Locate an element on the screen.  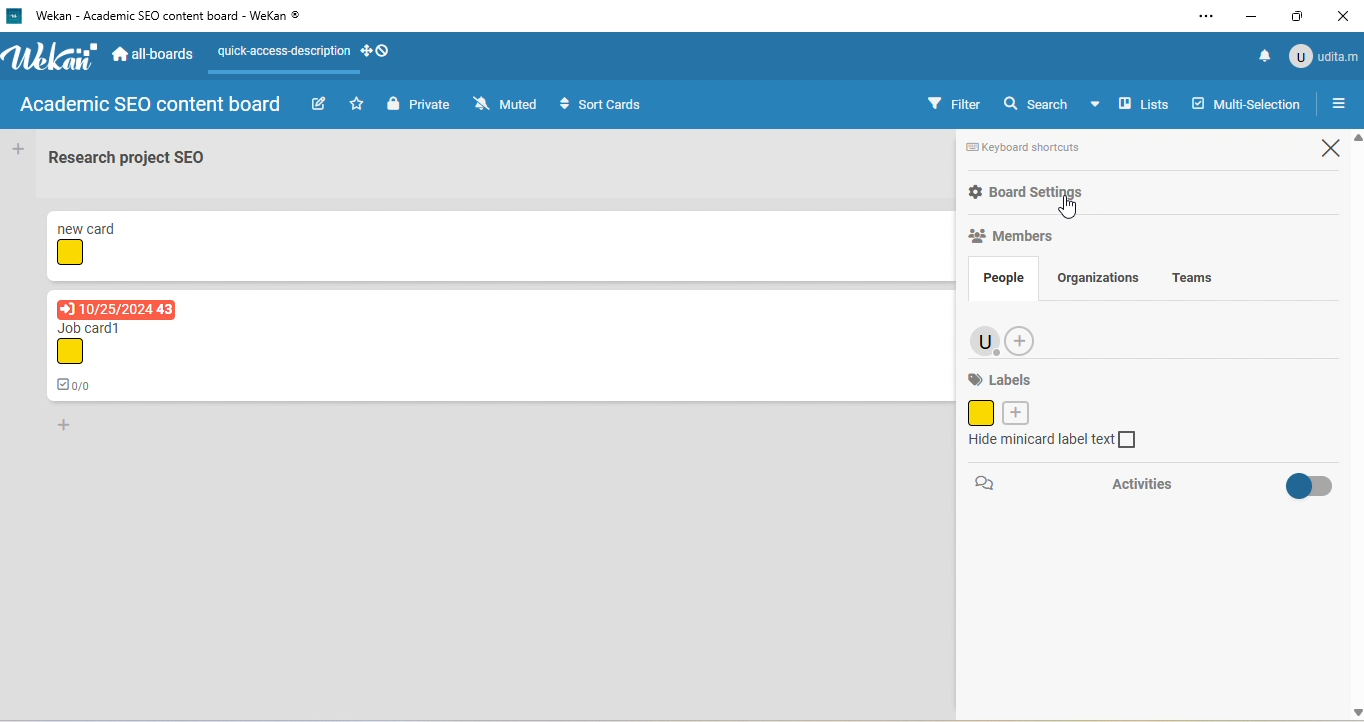
academic seo content board is located at coordinates (153, 107).